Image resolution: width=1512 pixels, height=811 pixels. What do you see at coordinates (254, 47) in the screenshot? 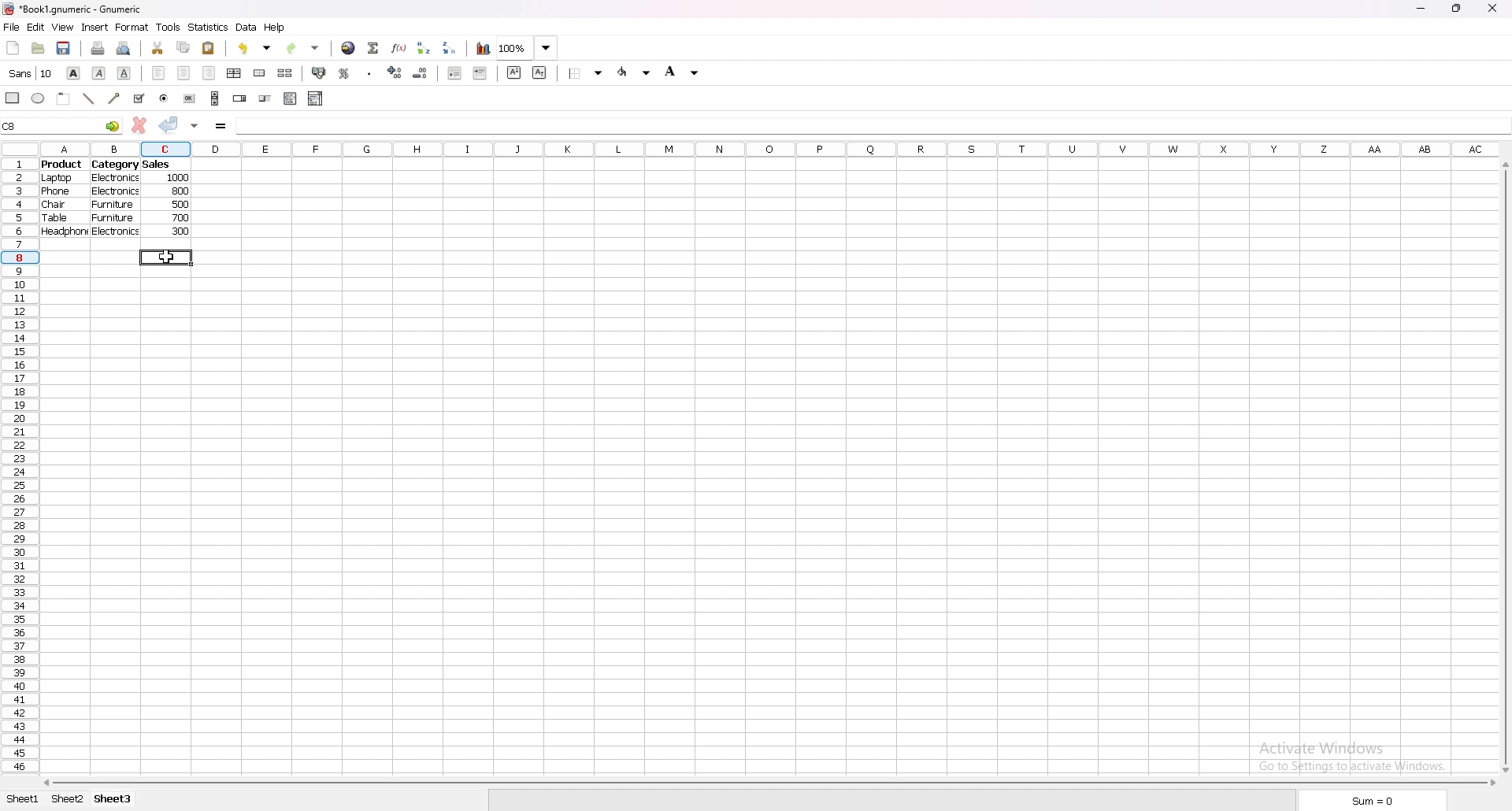
I see `undo` at bounding box center [254, 47].